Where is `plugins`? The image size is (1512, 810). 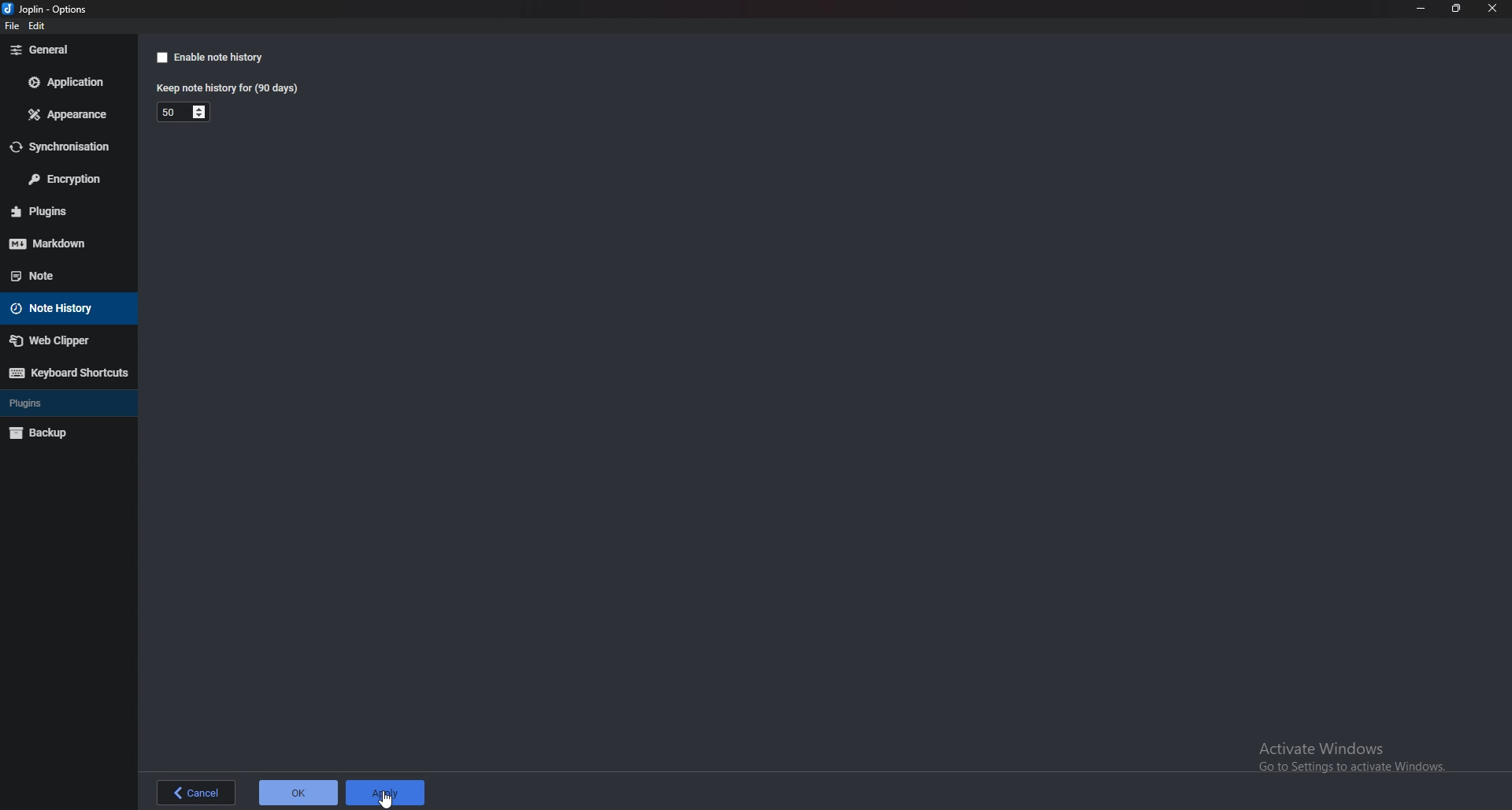
plugins is located at coordinates (65, 210).